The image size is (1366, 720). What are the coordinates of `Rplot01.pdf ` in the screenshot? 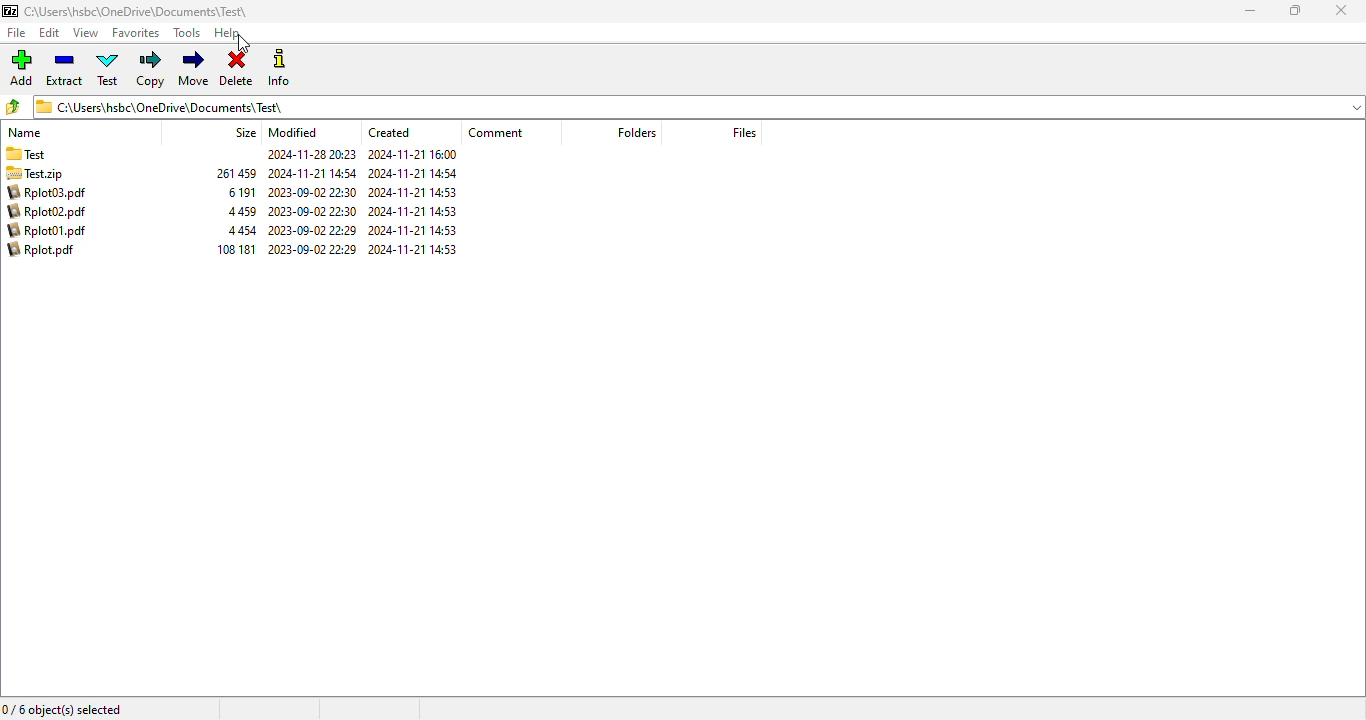 It's located at (48, 230).